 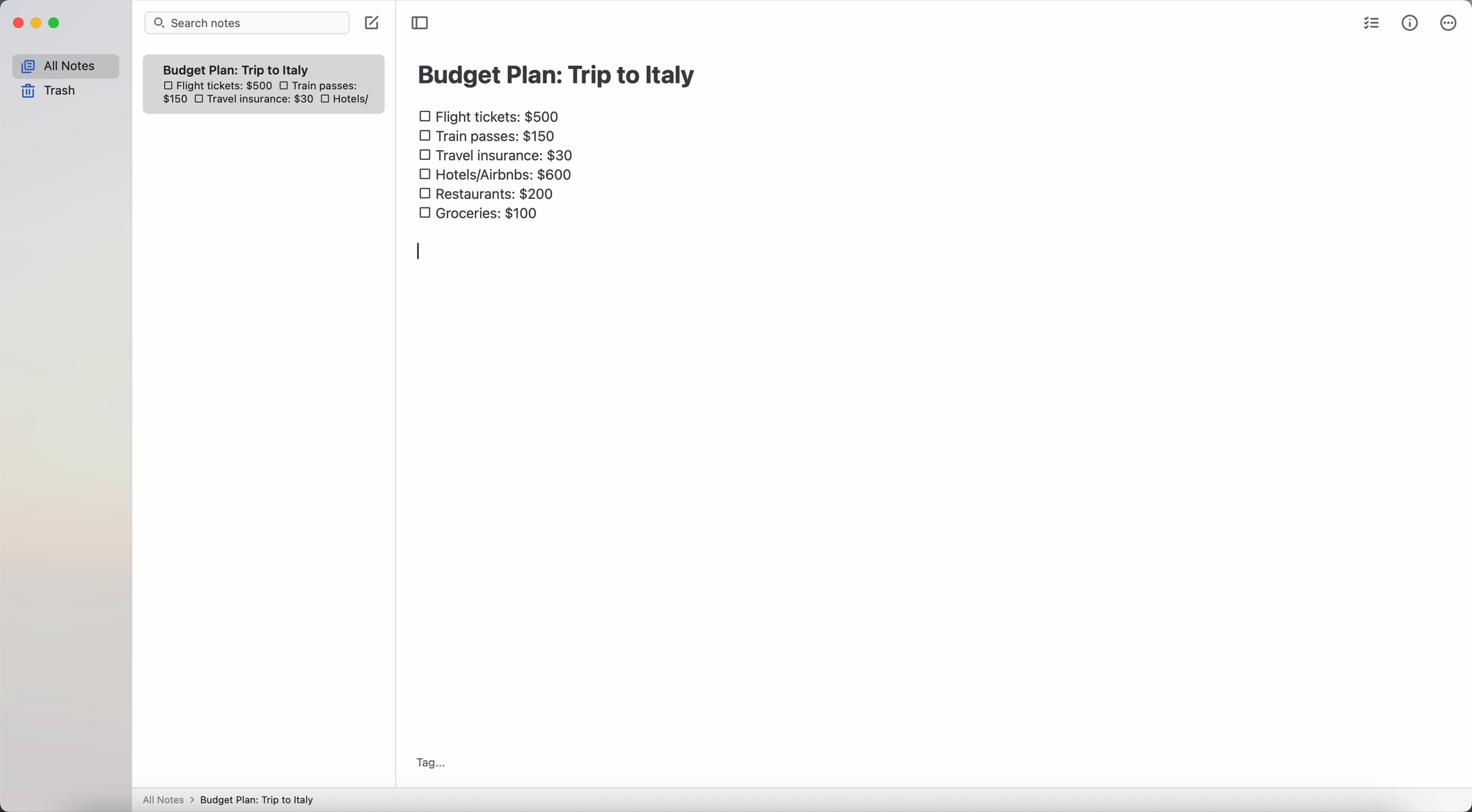 I want to click on checkbox, so click(x=200, y=101).